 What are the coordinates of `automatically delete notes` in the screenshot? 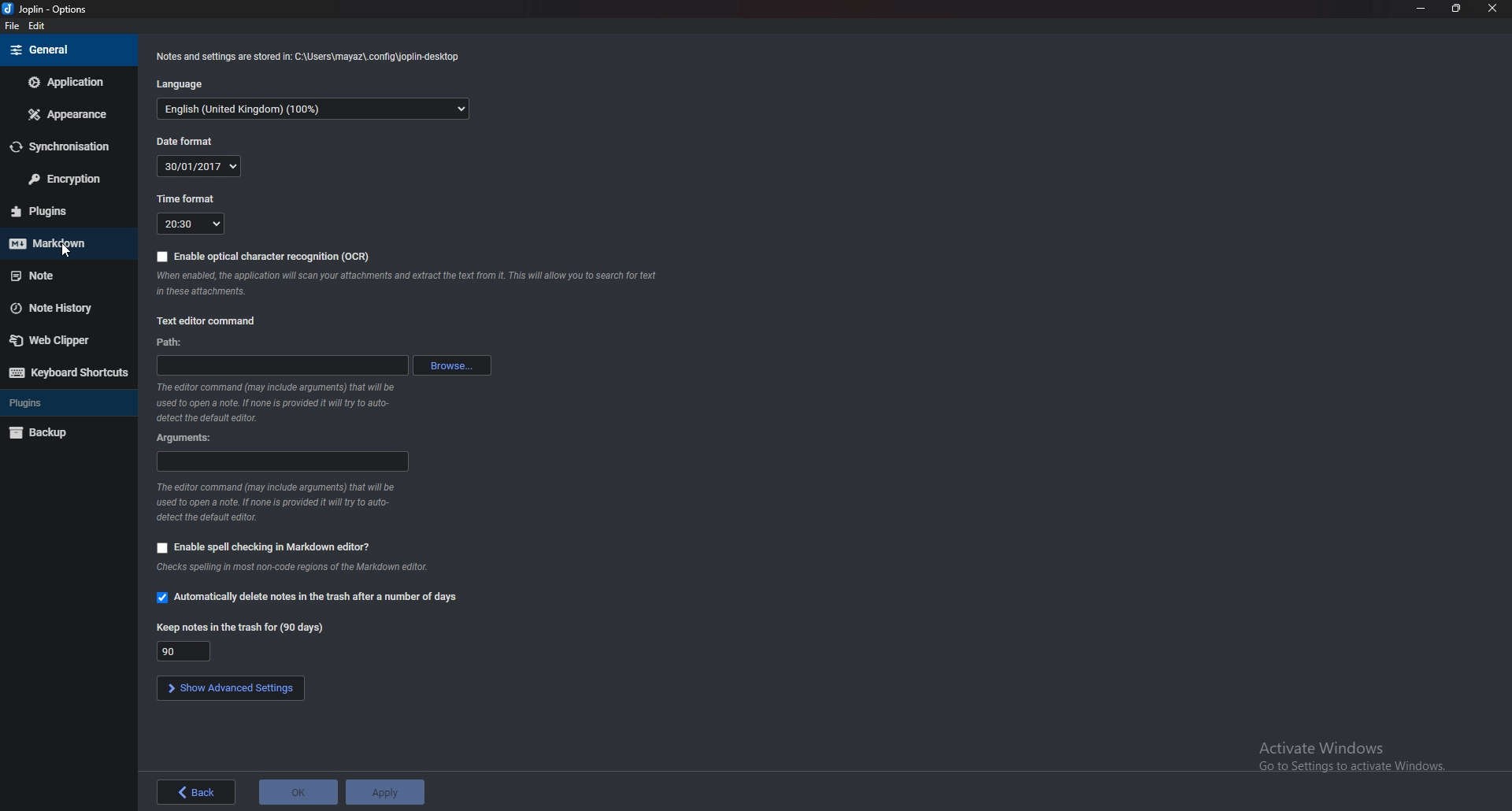 It's located at (306, 595).